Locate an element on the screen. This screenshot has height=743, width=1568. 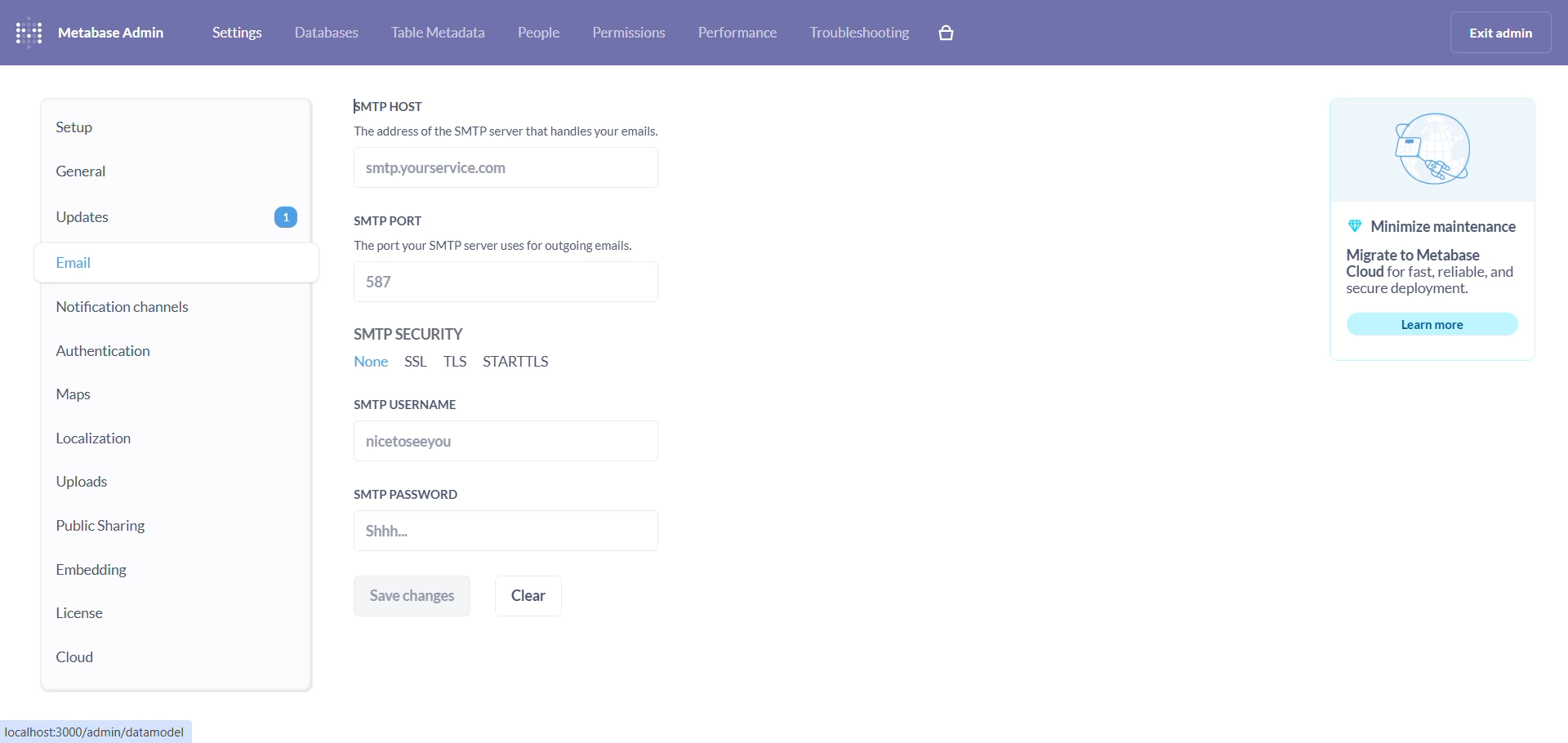
cloud is located at coordinates (148, 657).